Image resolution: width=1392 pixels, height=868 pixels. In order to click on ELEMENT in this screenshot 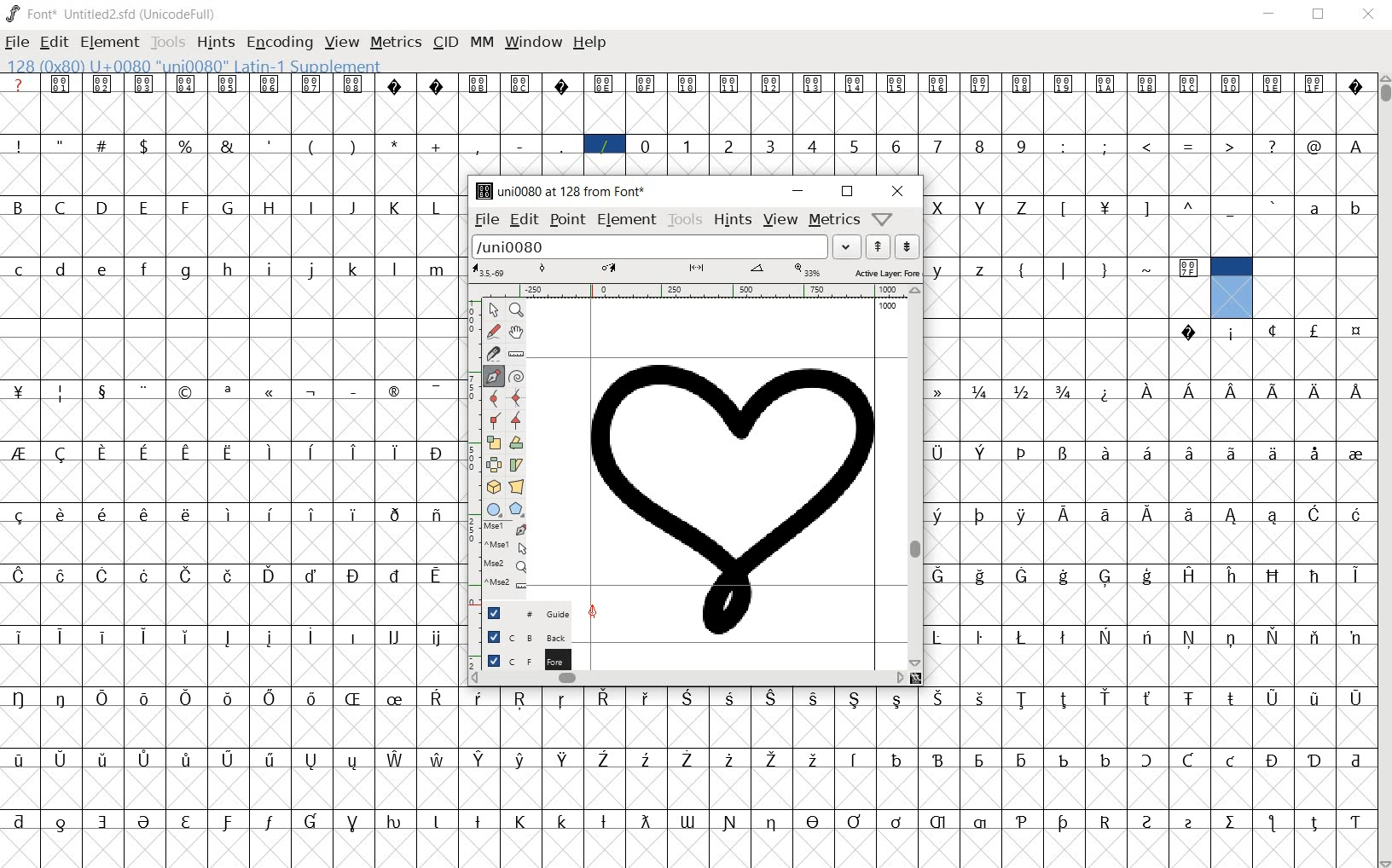, I will do `click(111, 43)`.